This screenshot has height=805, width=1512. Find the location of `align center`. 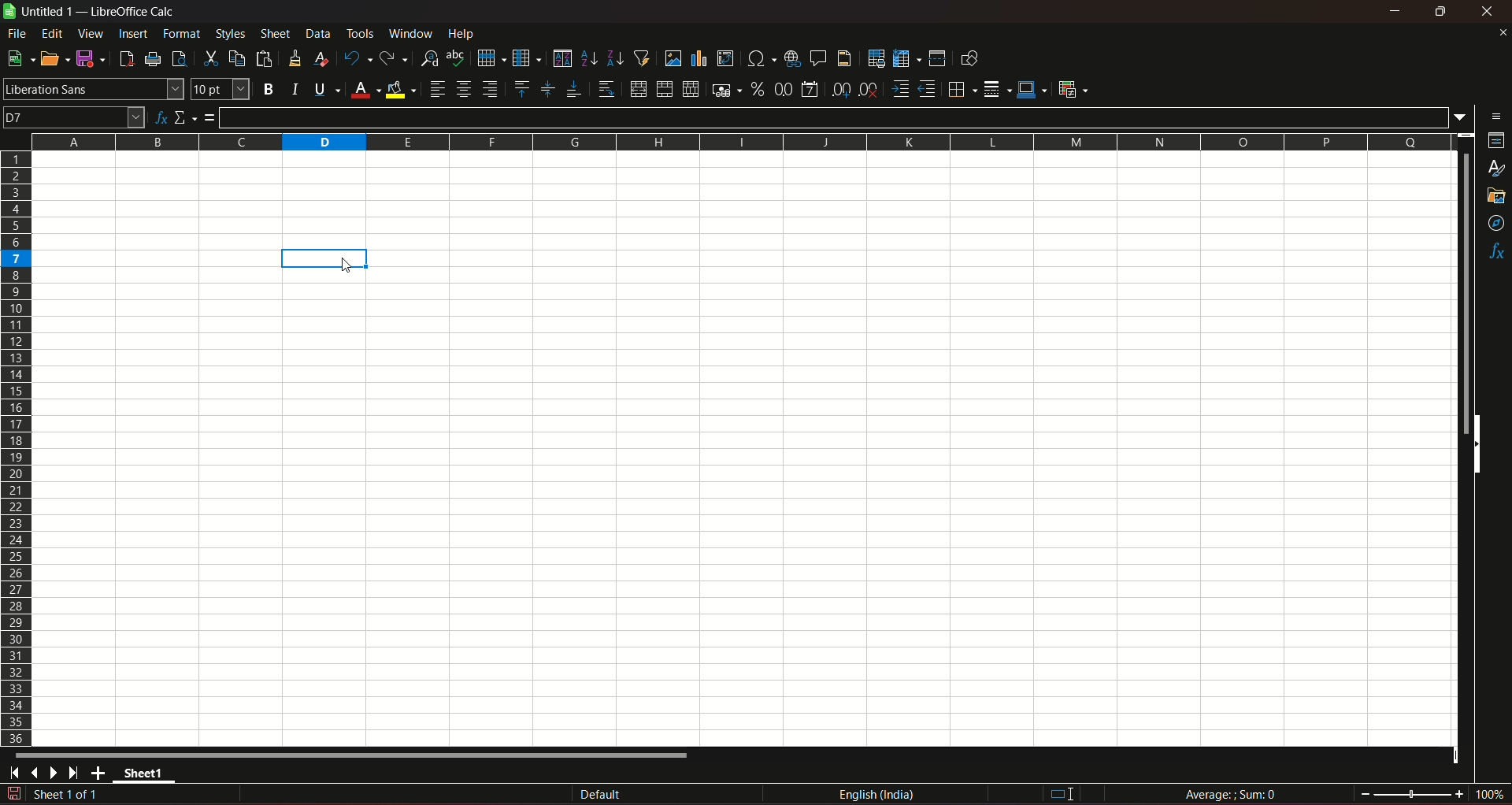

align center is located at coordinates (464, 89).